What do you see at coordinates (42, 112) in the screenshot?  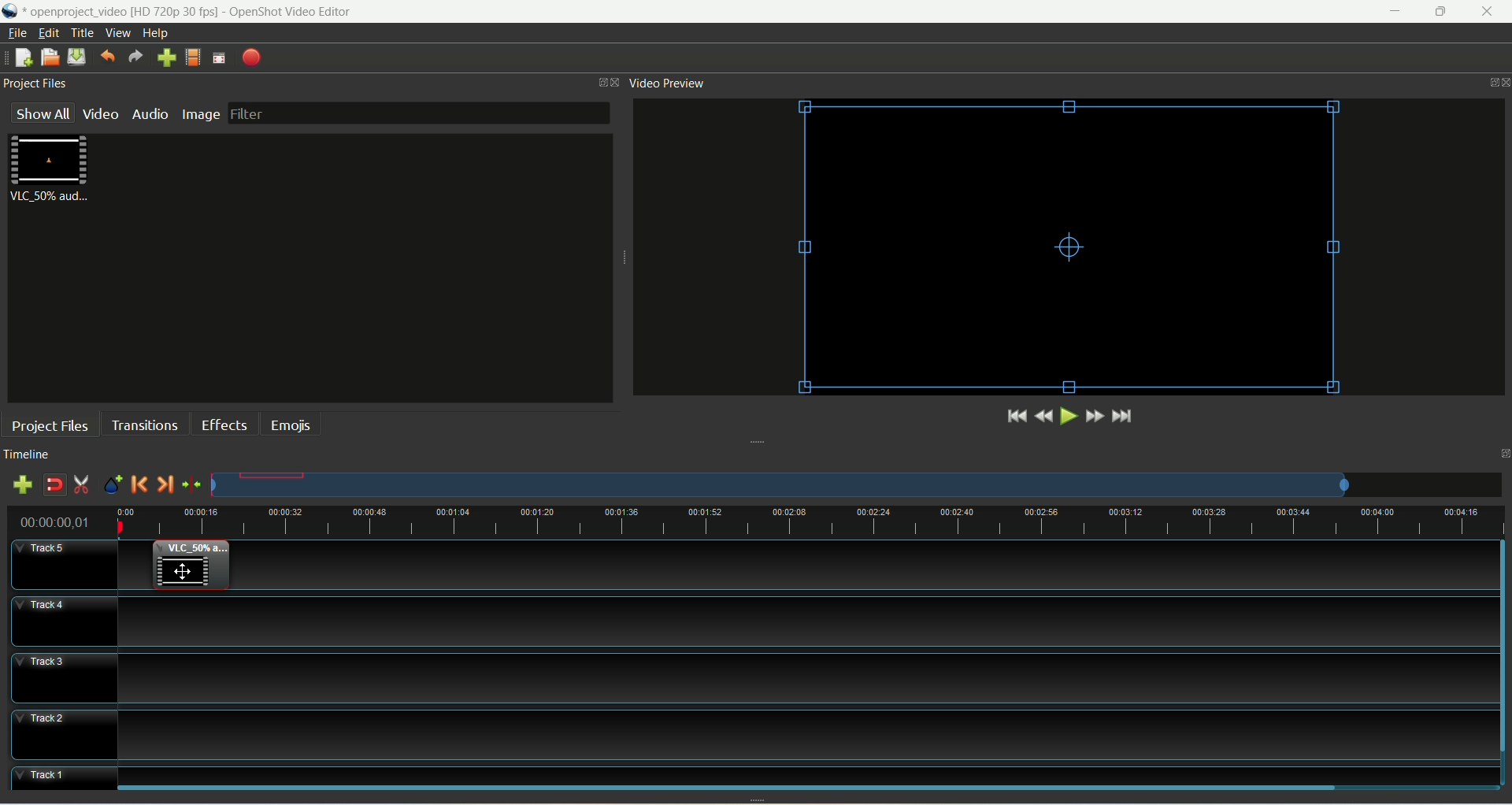 I see `show all` at bounding box center [42, 112].